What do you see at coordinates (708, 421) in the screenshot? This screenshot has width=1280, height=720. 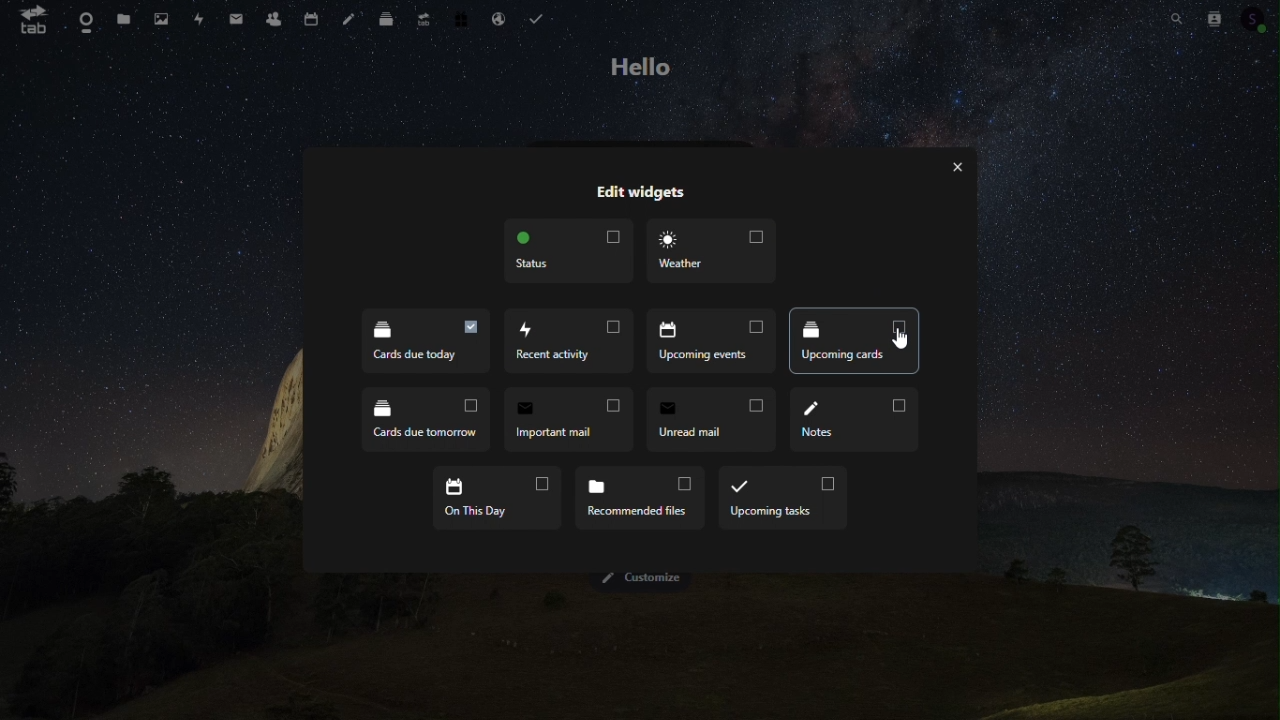 I see `unread mail` at bounding box center [708, 421].